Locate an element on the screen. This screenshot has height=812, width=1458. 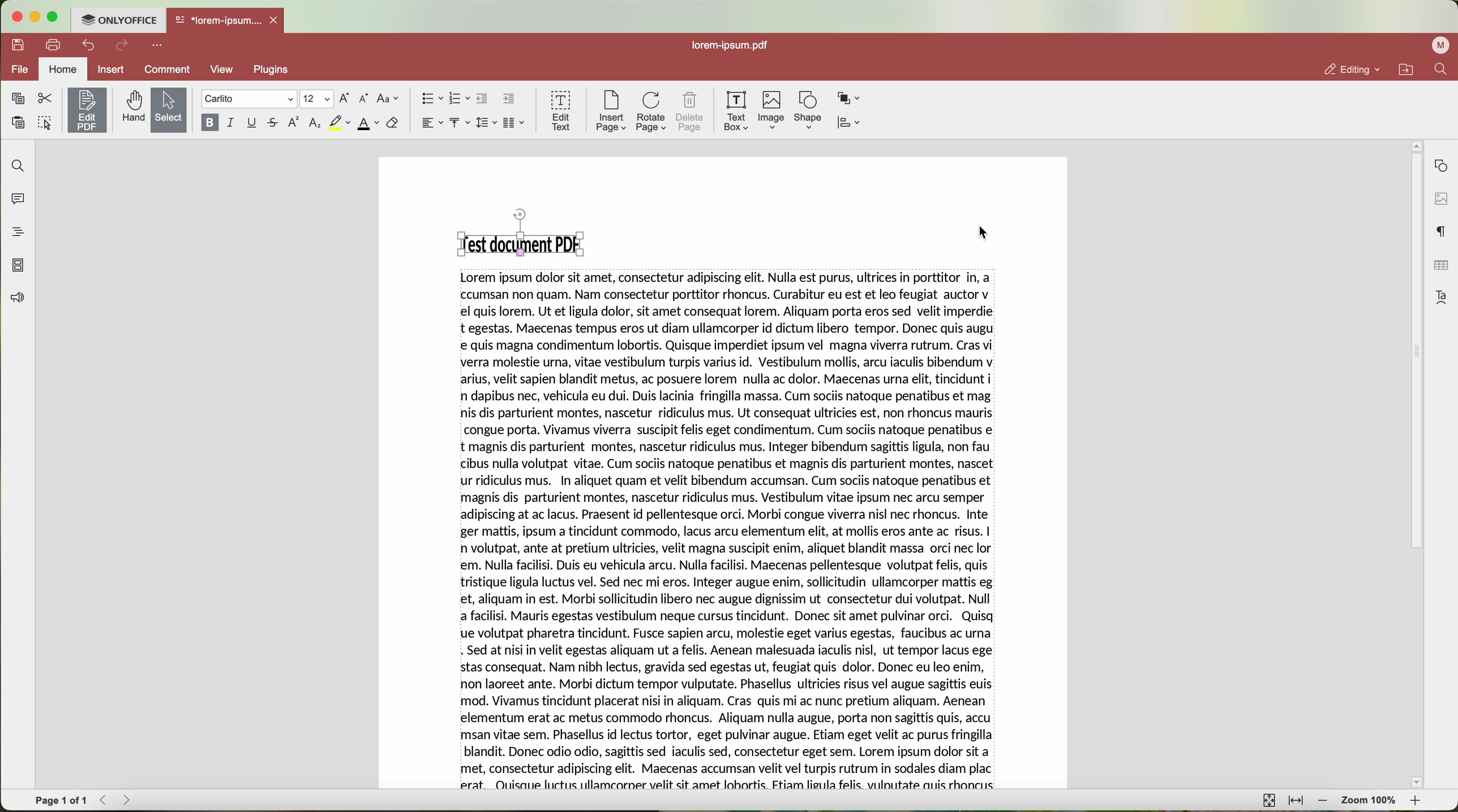
*lorem-ipsum.... is located at coordinates (218, 19).